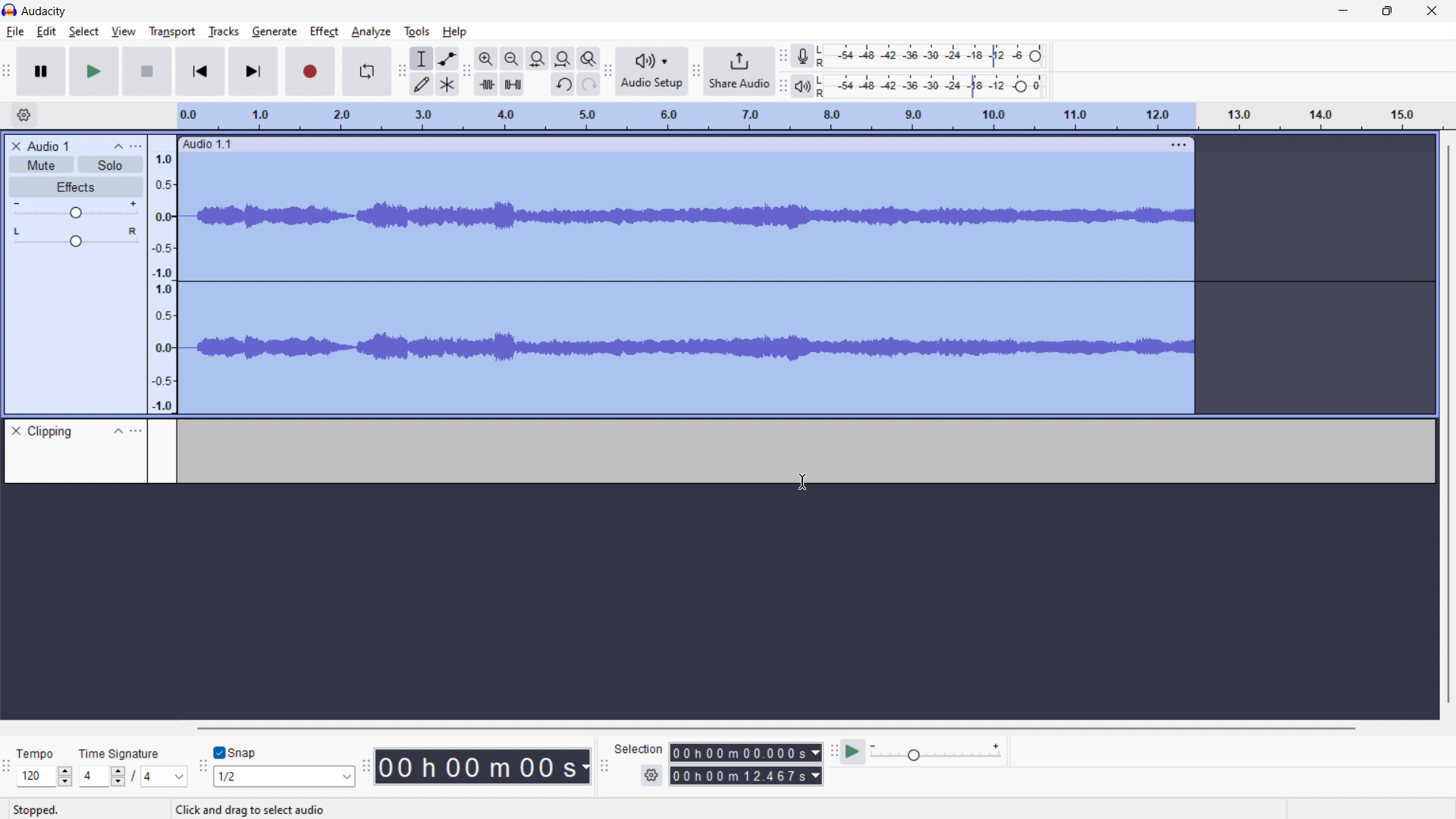  What do you see at coordinates (447, 83) in the screenshot?
I see `multi tool` at bounding box center [447, 83].